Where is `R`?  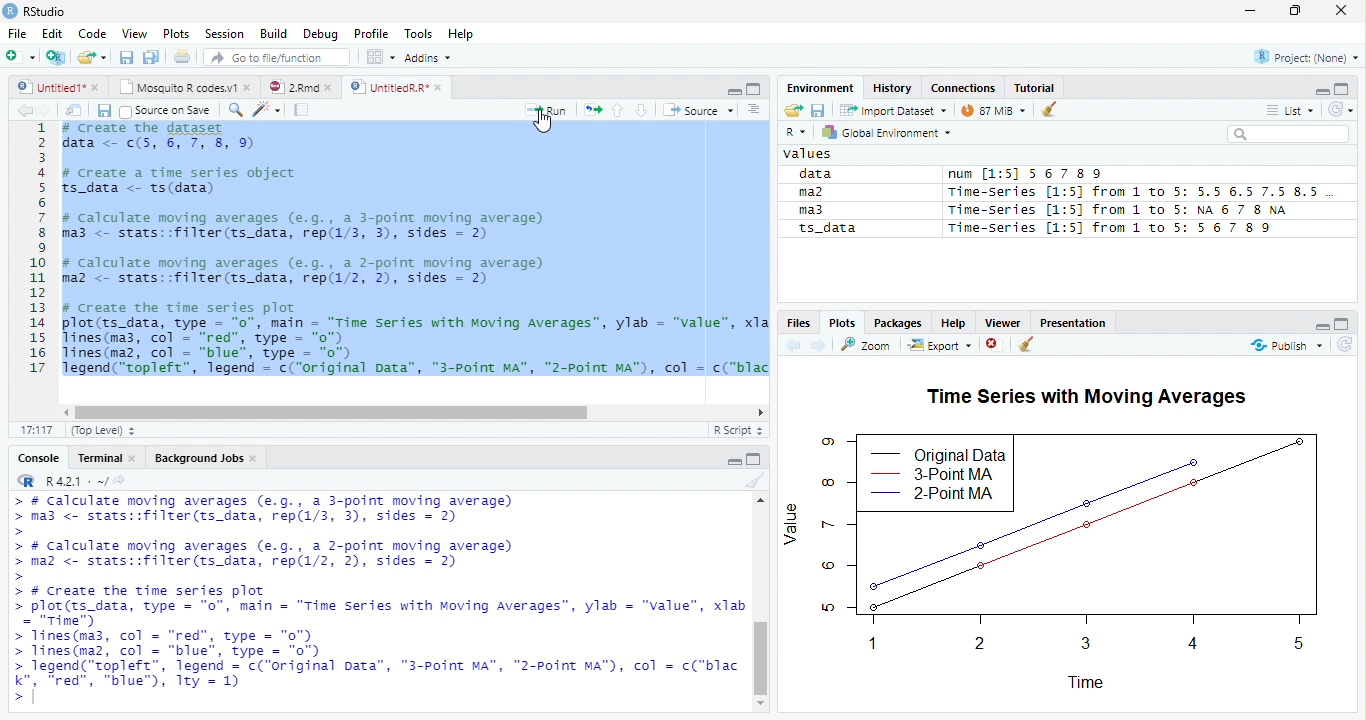
R is located at coordinates (24, 480).